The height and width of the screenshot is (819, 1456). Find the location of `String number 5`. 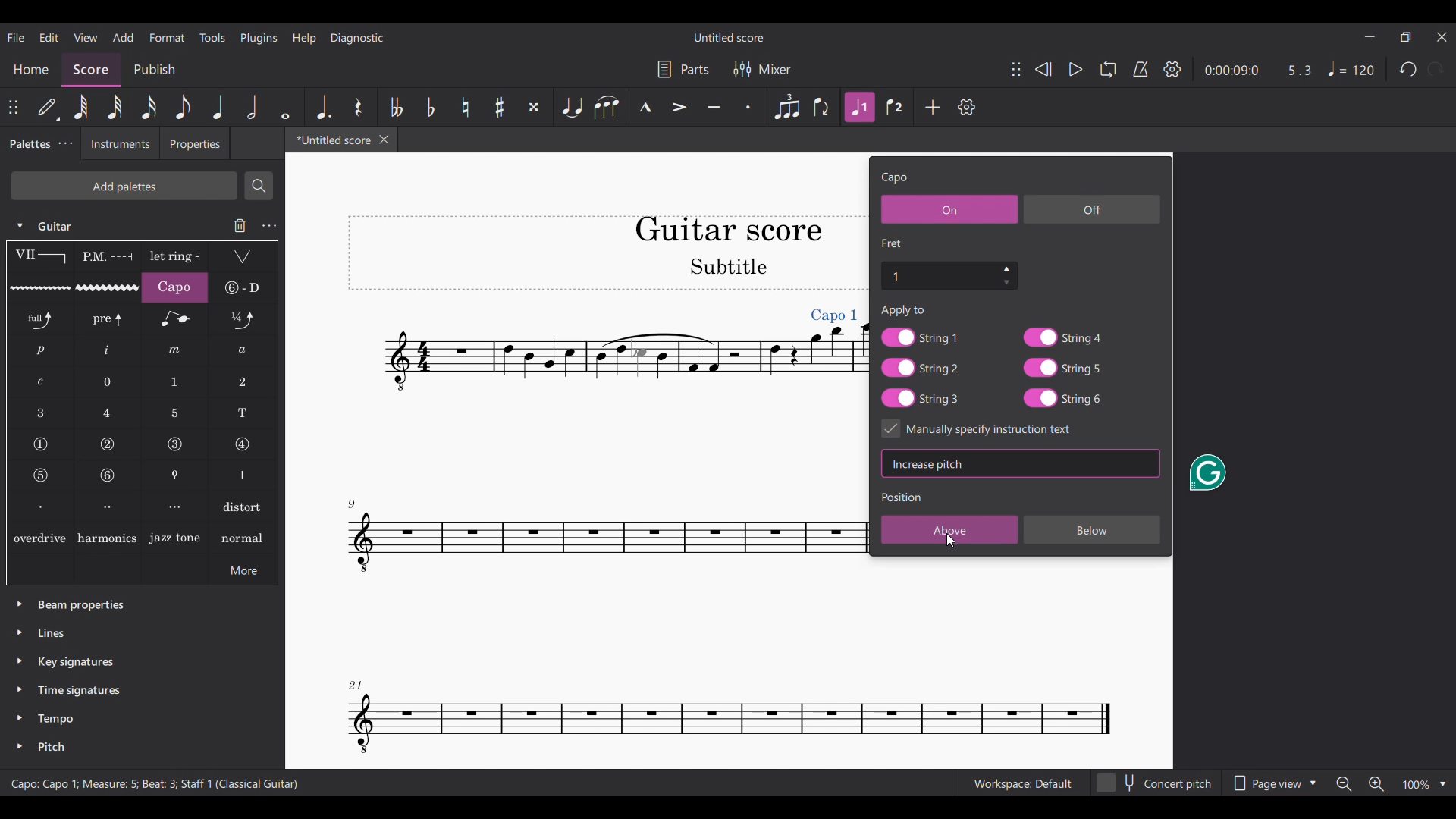

String number 5 is located at coordinates (41, 475).